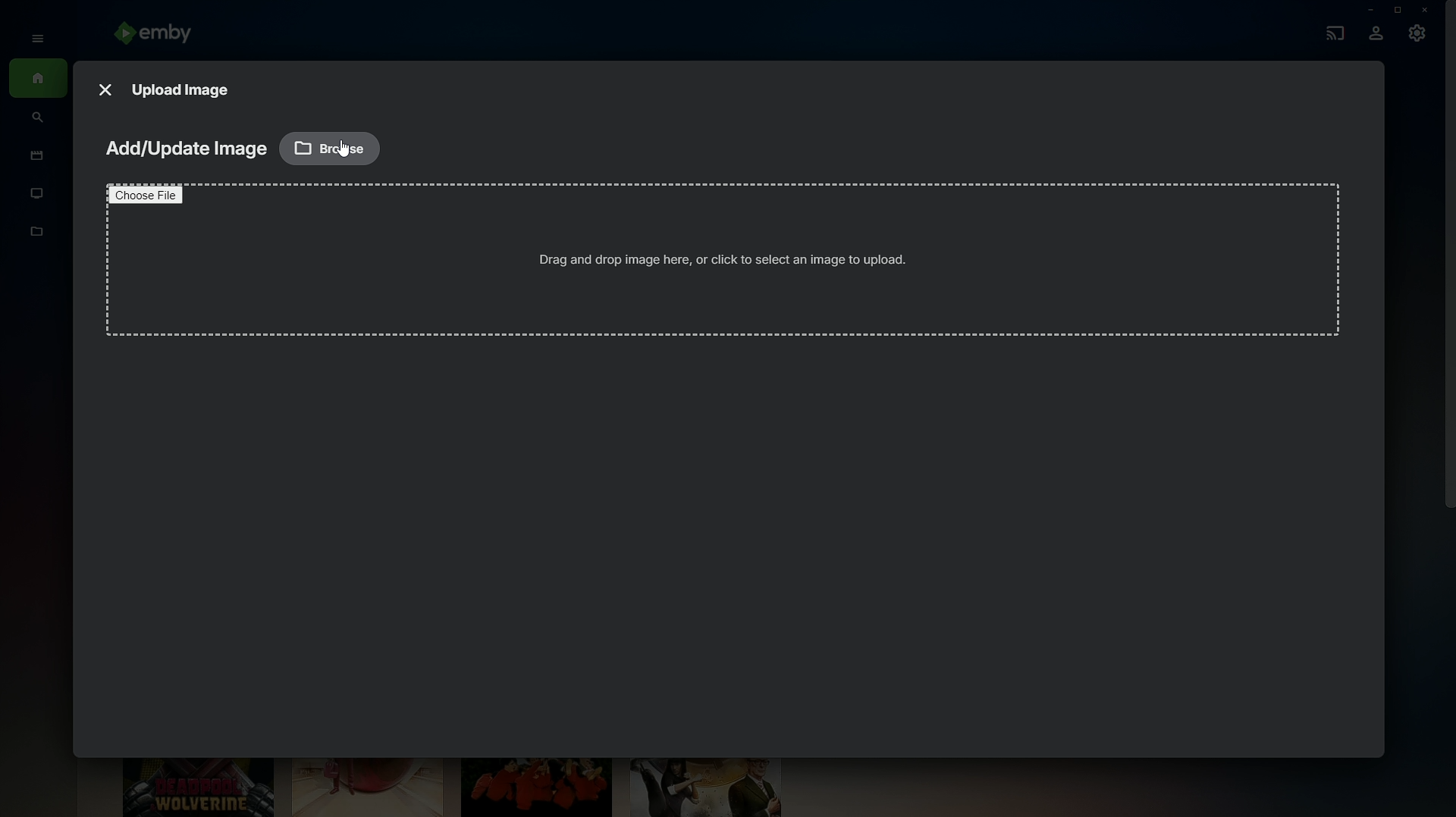  What do you see at coordinates (38, 80) in the screenshot?
I see `Home` at bounding box center [38, 80].